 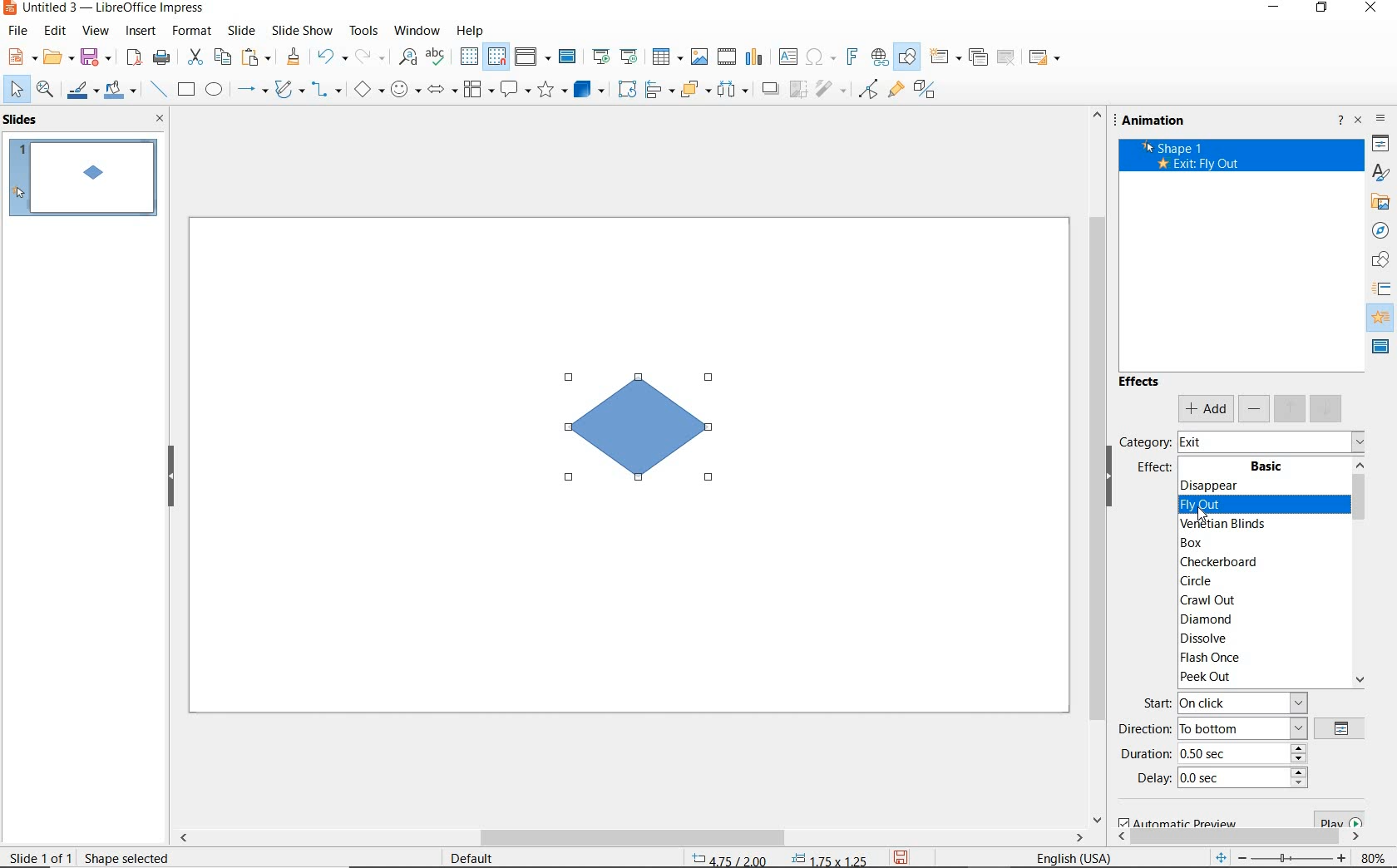 What do you see at coordinates (489, 856) in the screenshot?
I see `default` at bounding box center [489, 856].